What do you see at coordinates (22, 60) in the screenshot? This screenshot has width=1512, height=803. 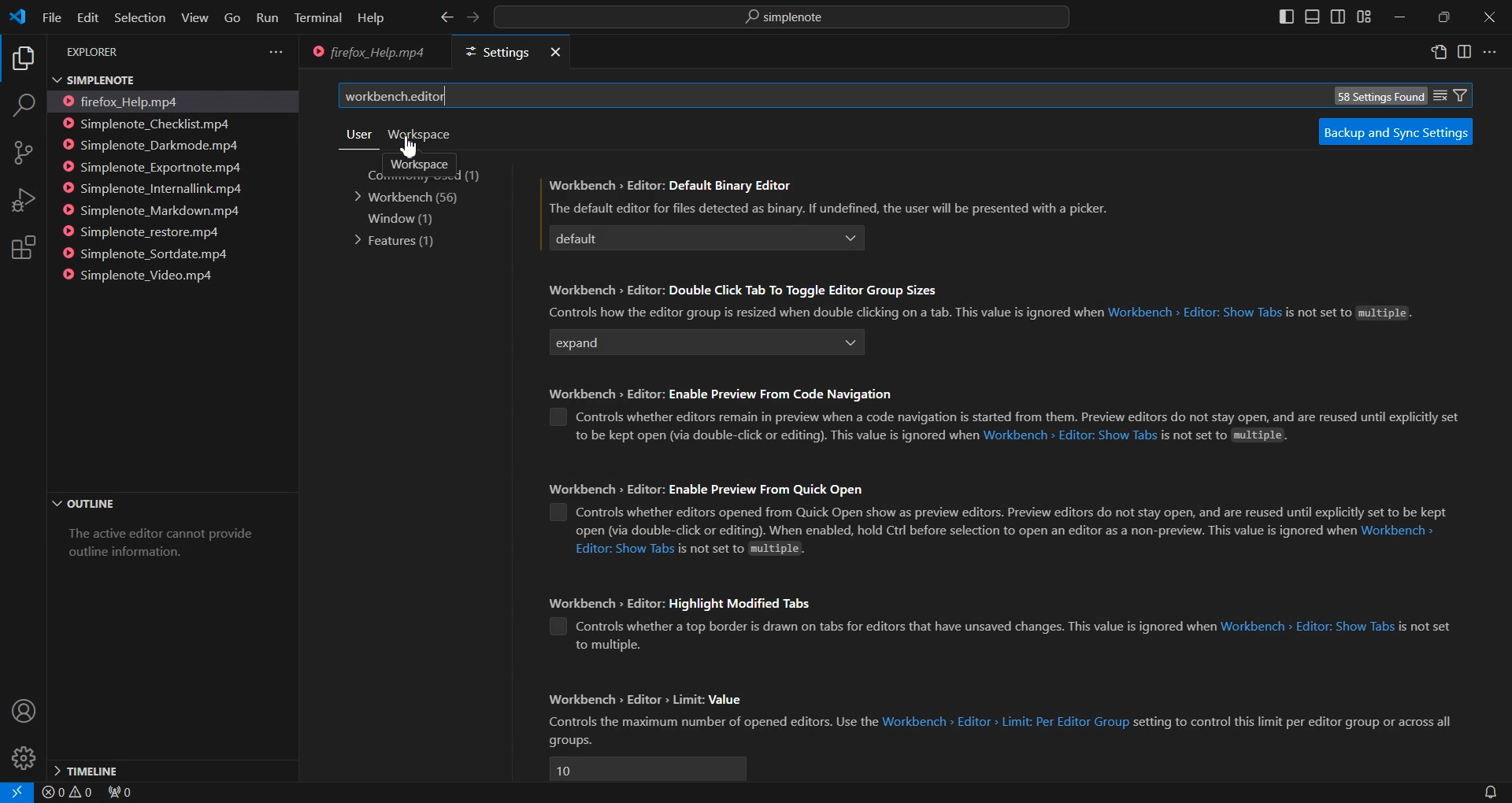 I see `Explorer` at bounding box center [22, 60].